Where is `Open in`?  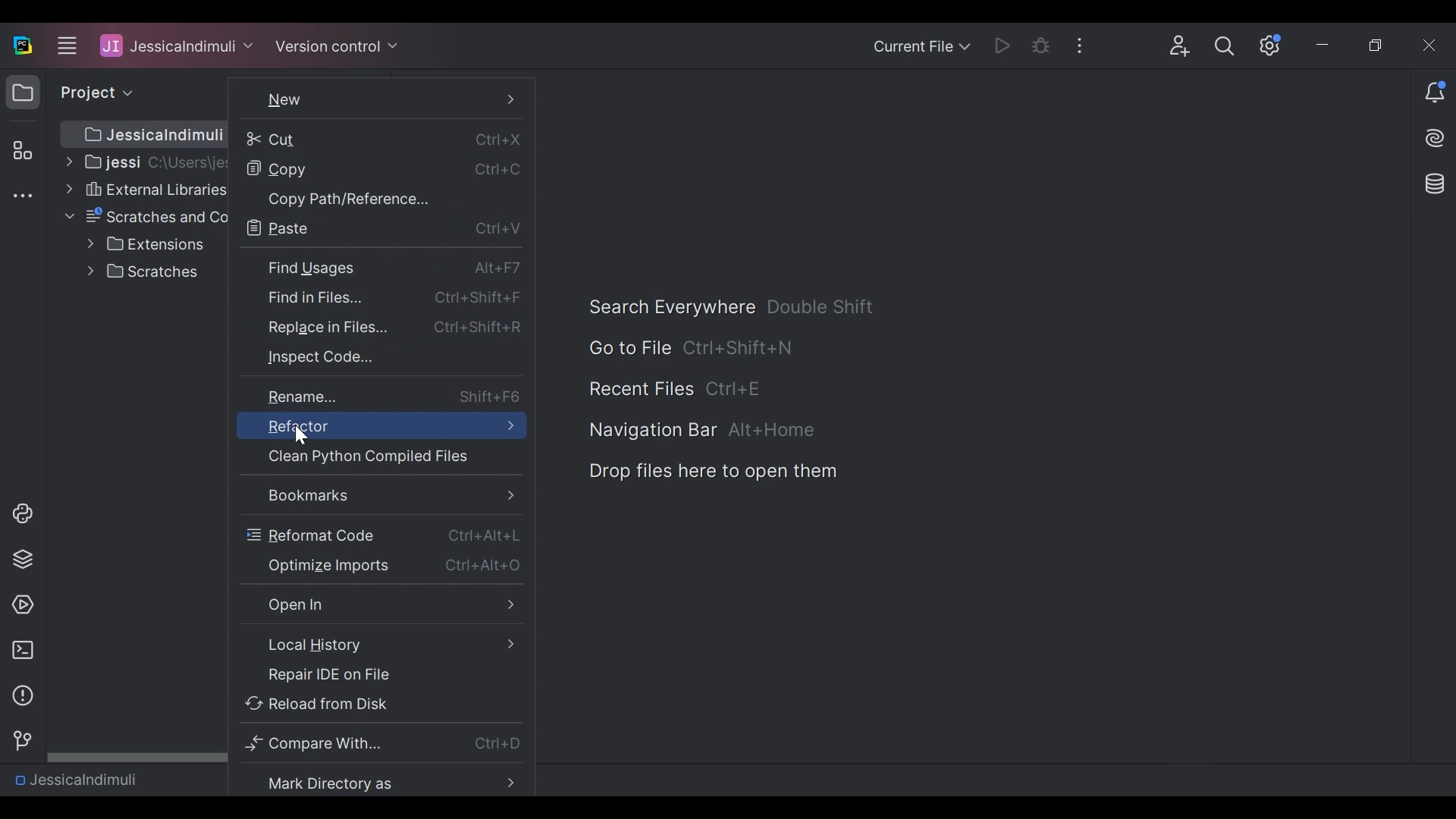 Open in is located at coordinates (378, 605).